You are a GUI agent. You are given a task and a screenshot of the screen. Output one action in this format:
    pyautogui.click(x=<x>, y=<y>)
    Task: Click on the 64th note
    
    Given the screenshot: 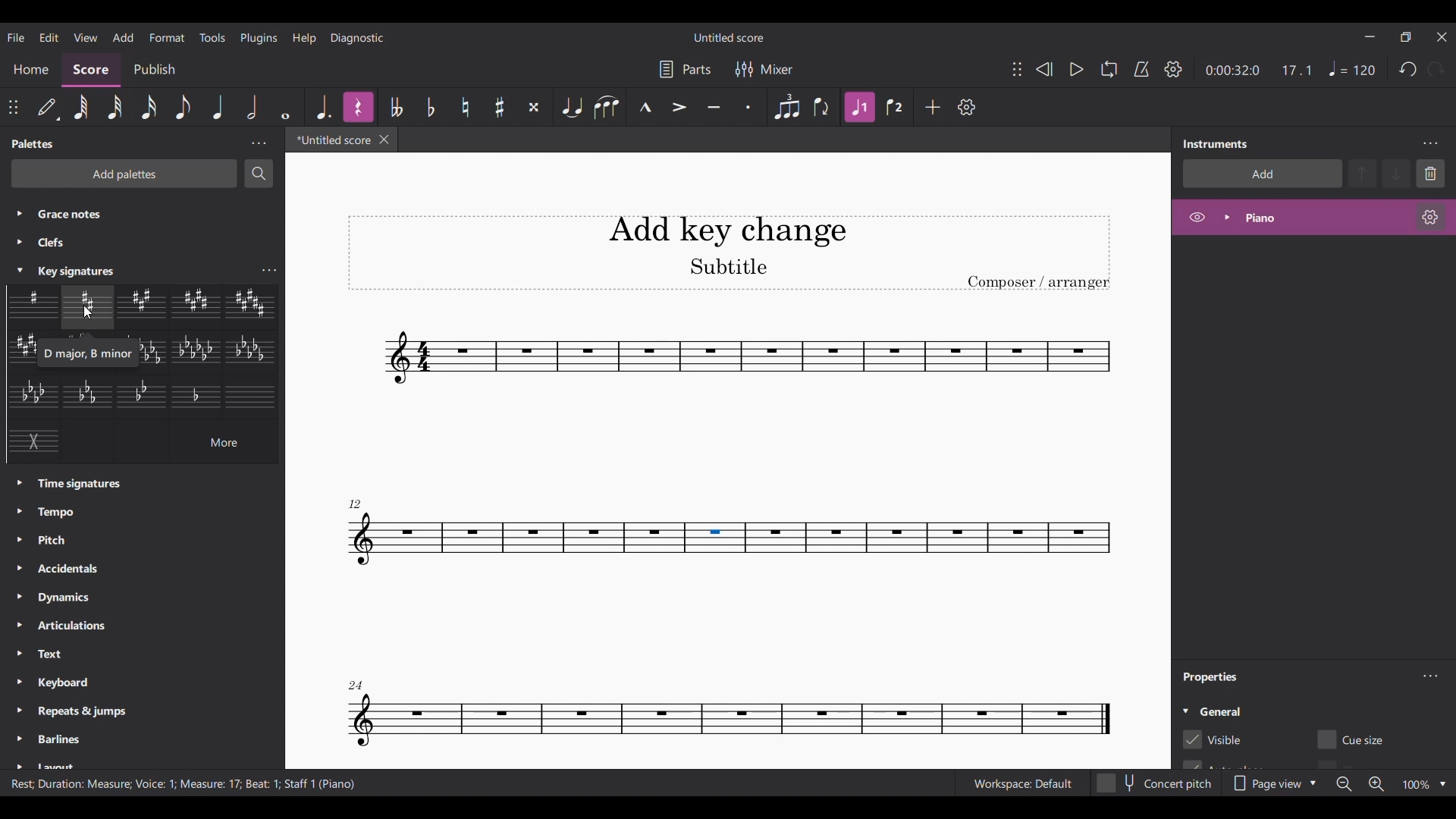 What is the action you would take?
    pyautogui.click(x=81, y=107)
    